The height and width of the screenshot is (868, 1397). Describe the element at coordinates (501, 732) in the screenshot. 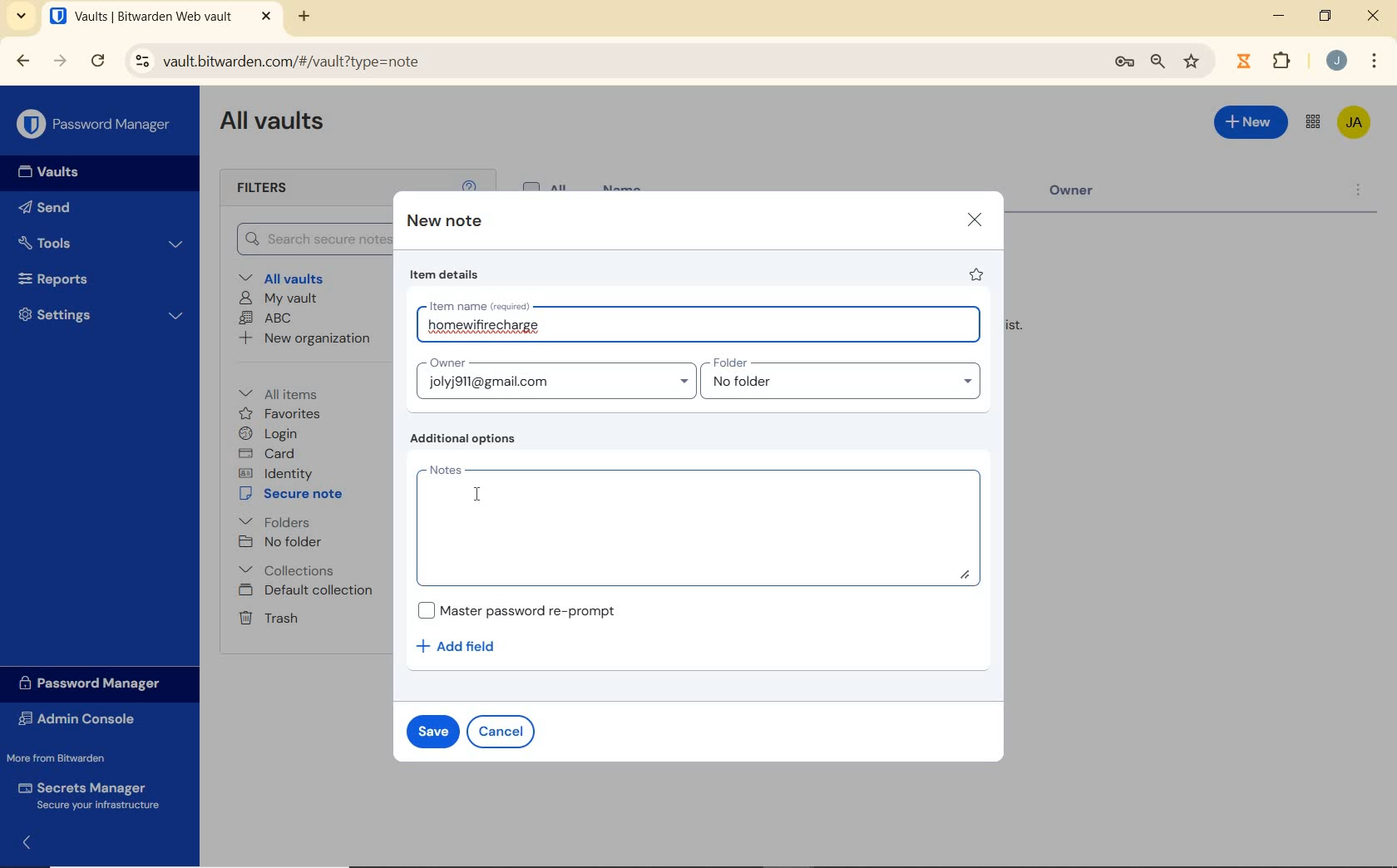

I see `cancel` at that location.